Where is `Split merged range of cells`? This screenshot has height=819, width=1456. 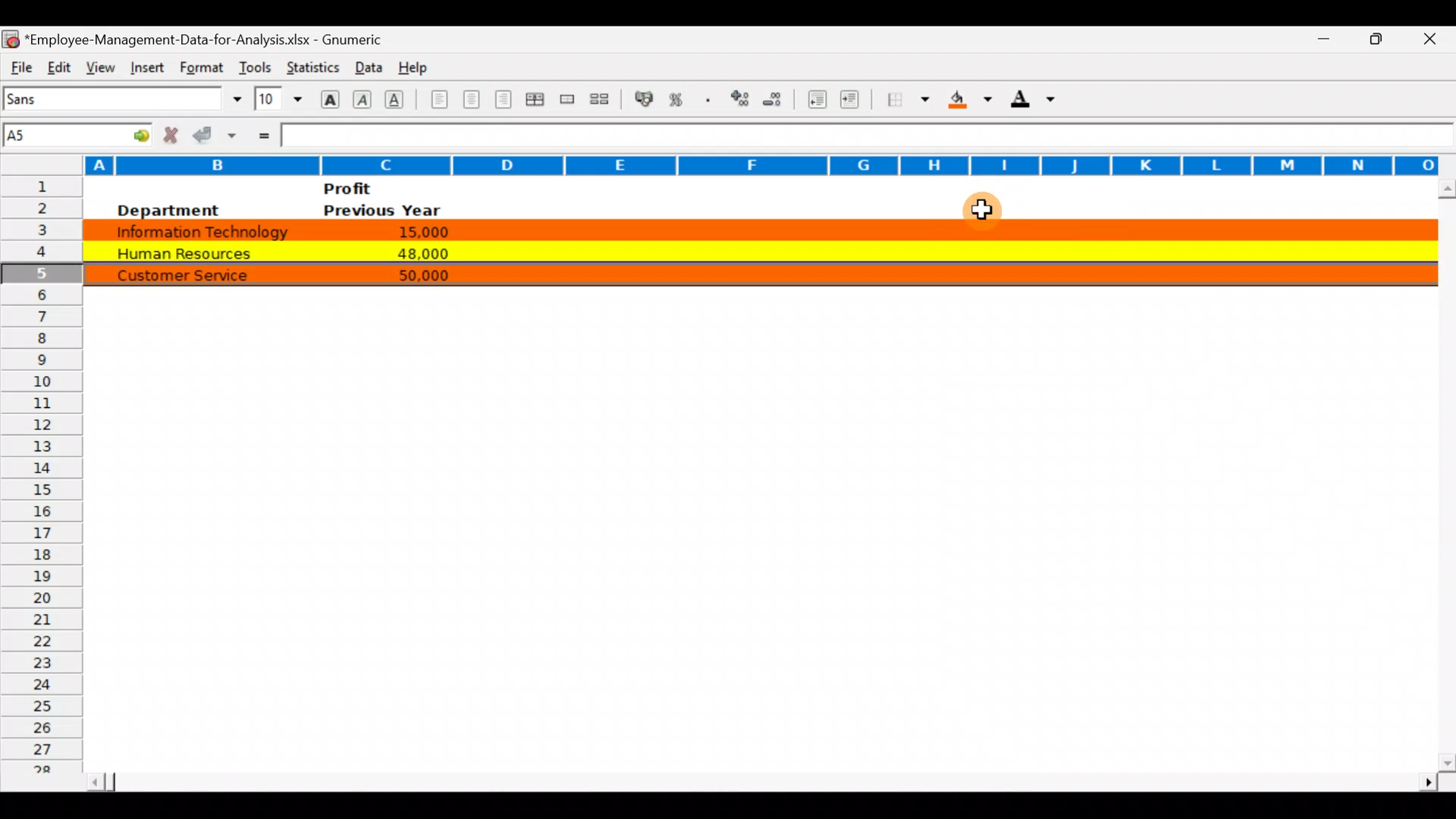 Split merged range of cells is located at coordinates (600, 99).